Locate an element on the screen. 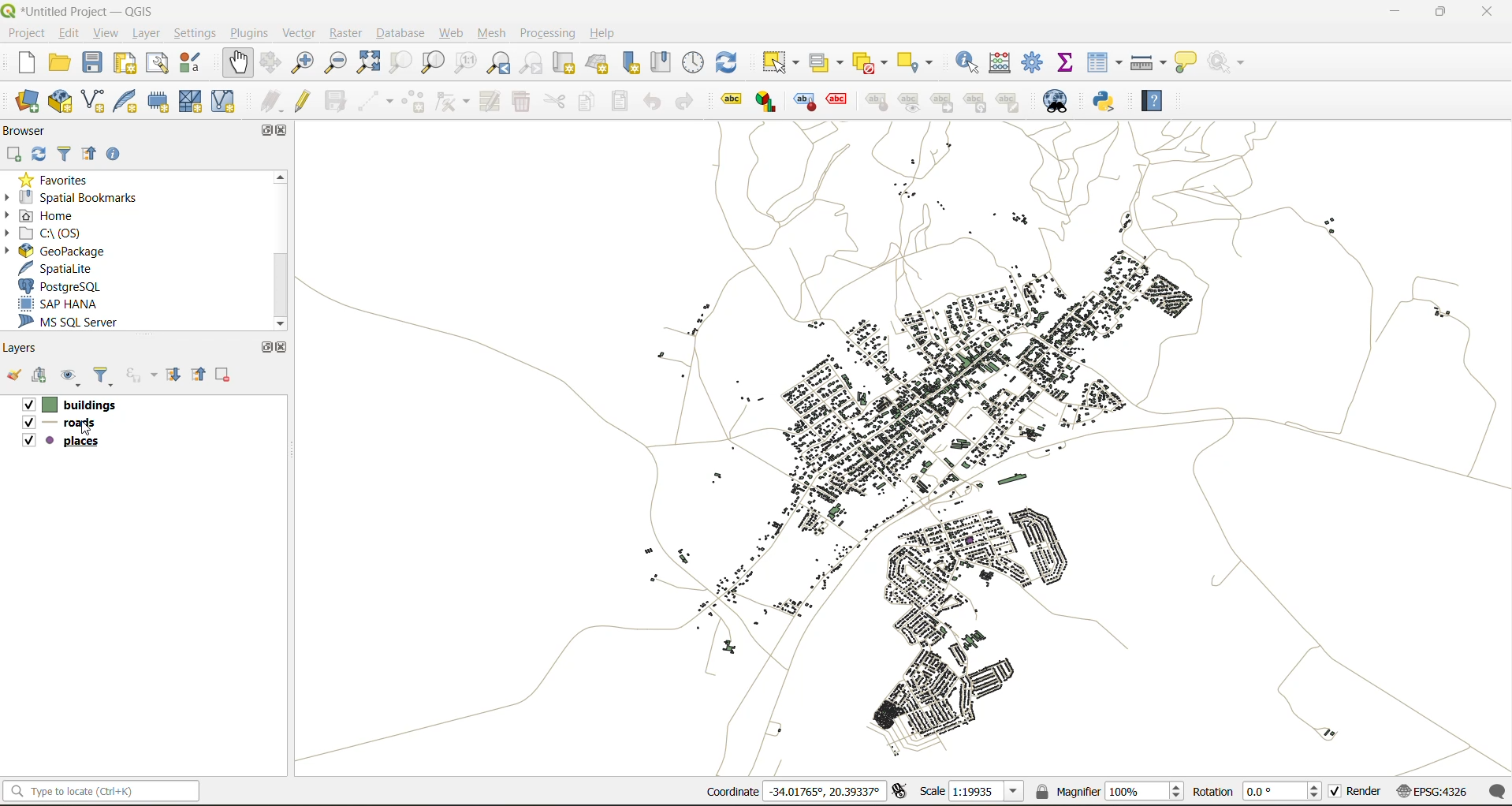  scale is located at coordinates (975, 792).